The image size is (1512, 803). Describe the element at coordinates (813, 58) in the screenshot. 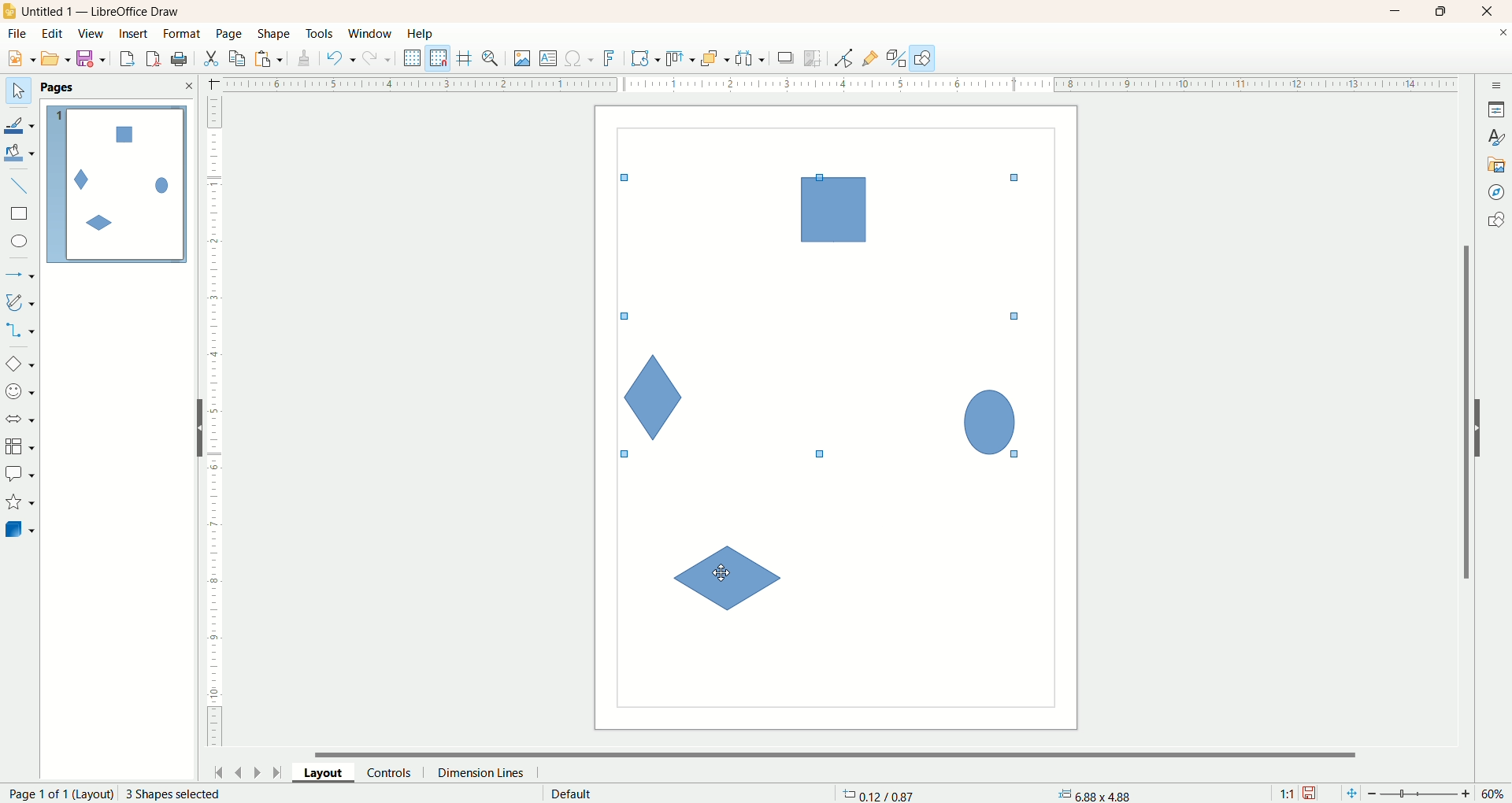

I see `crop image` at that location.